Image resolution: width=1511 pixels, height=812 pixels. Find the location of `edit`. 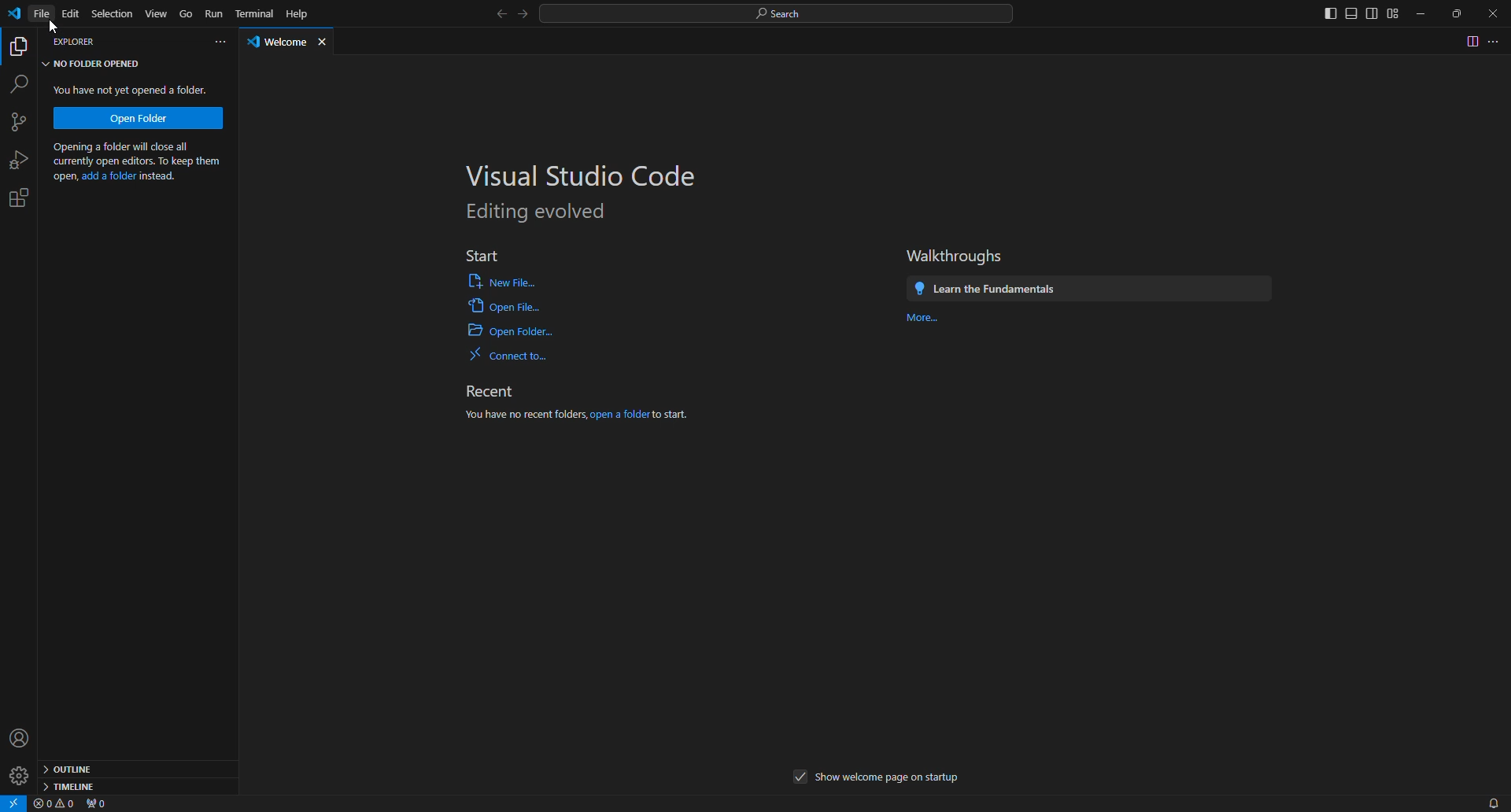

edit is located at coordinates (72, 14).